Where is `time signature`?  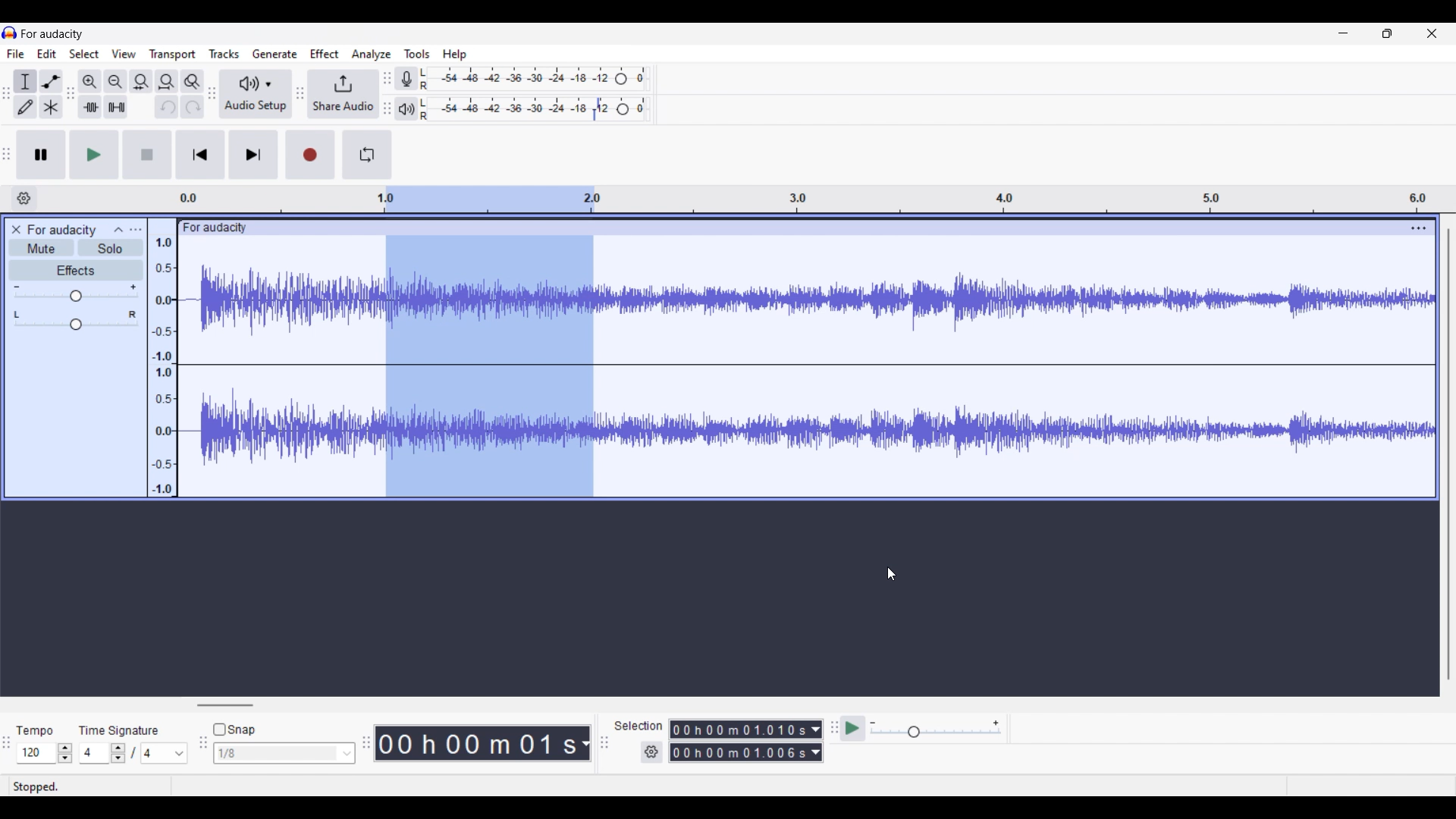 time signature is located at coordinates (119, 730).